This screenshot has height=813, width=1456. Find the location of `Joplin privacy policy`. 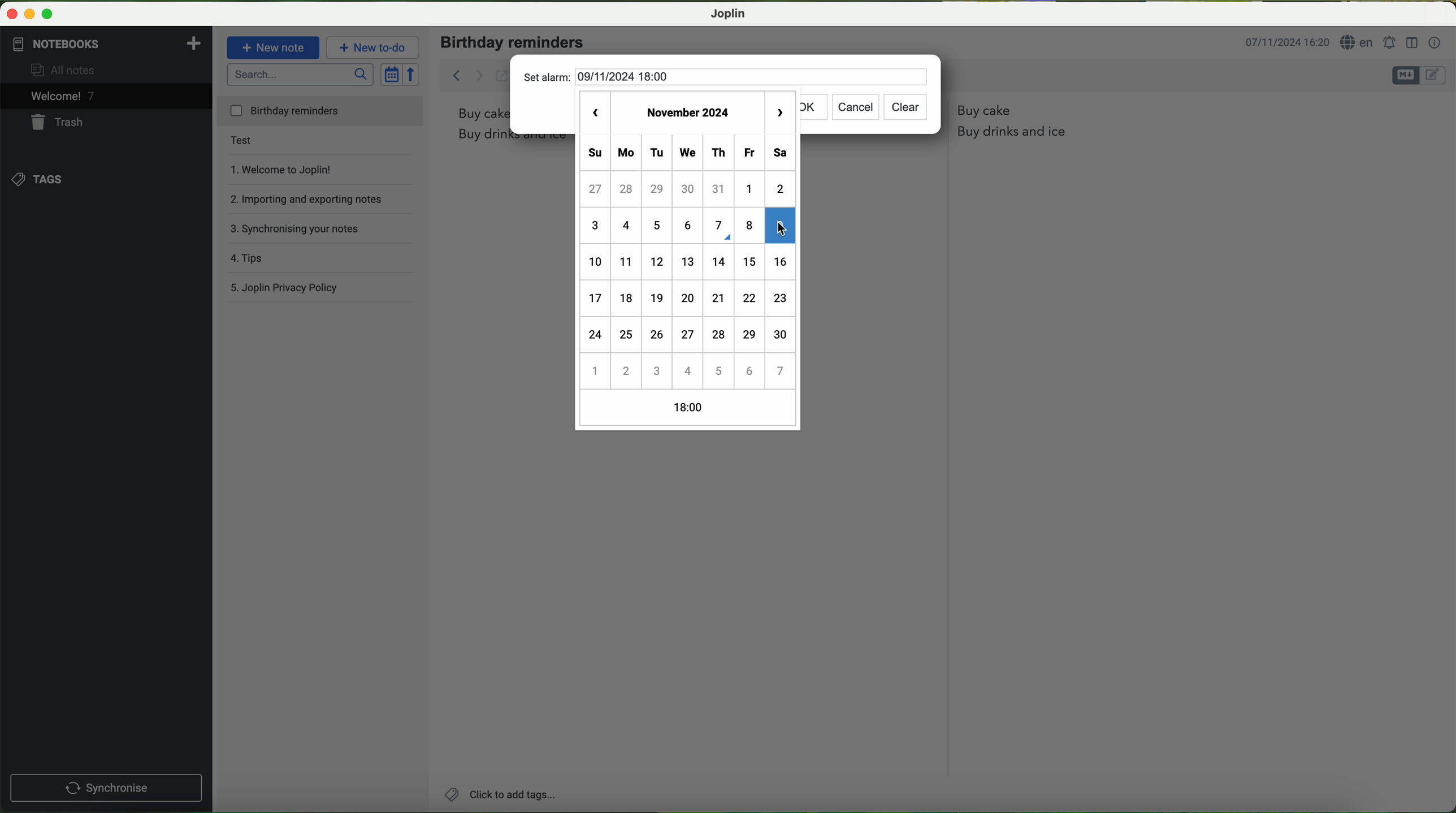

Joplin privacy policy is located at coordinates (285, 285).